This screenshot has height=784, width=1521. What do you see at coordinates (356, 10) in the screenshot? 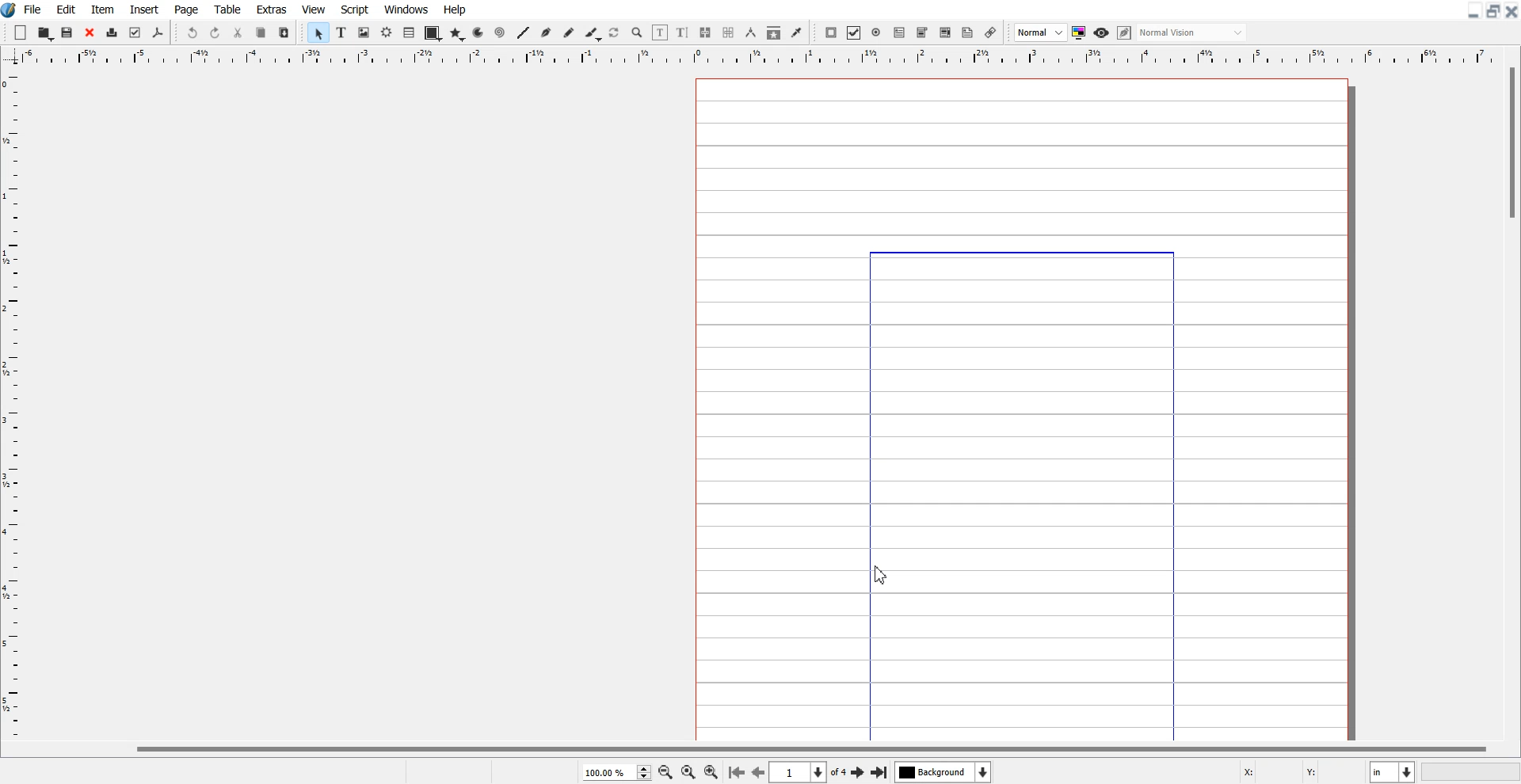
I see `Script` at bounding box center [356, 10].